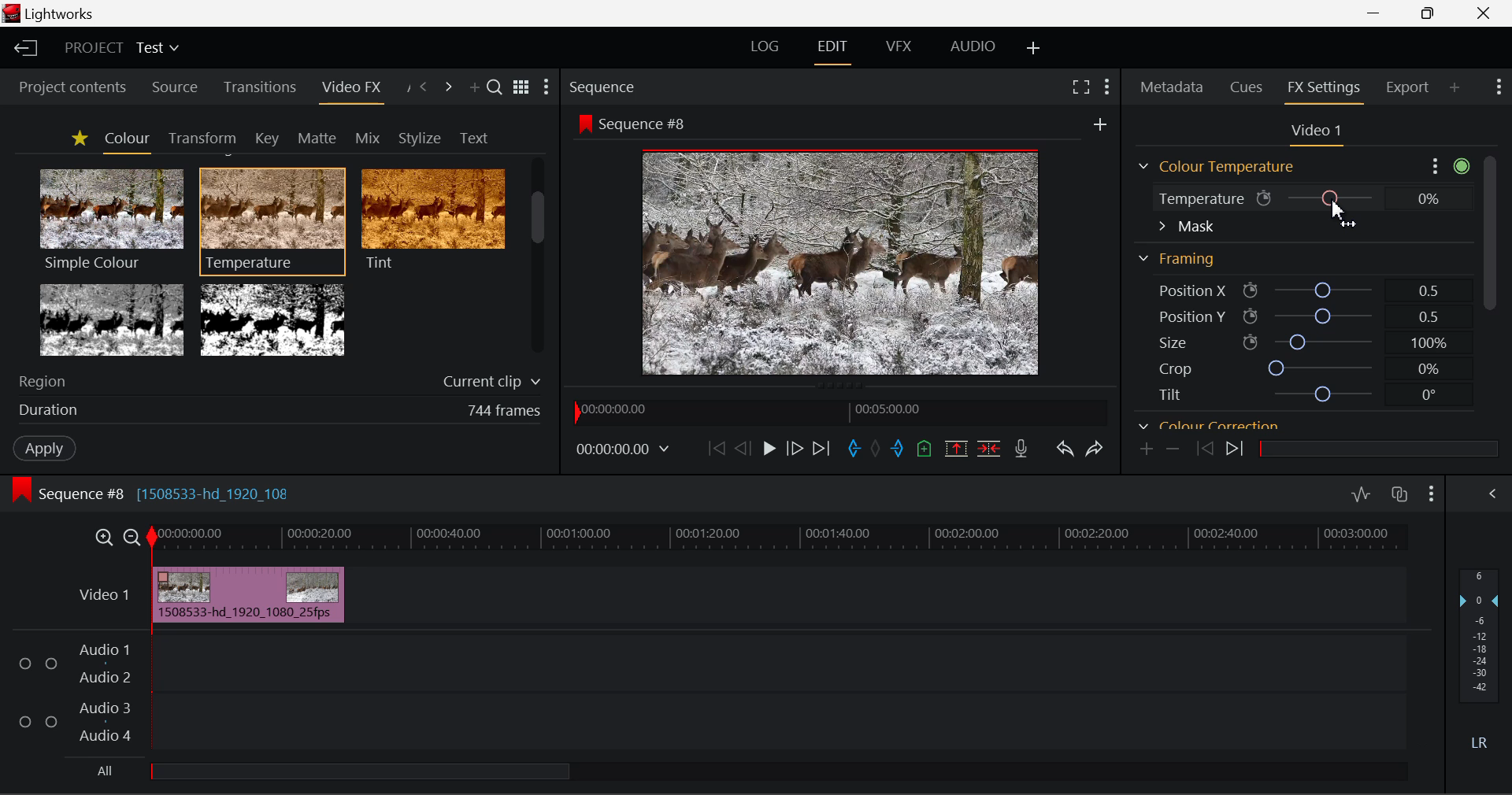  What do you see at coordinates (714, 452) in the screenshot?
I see `To start` at bounding box center [714, 452].